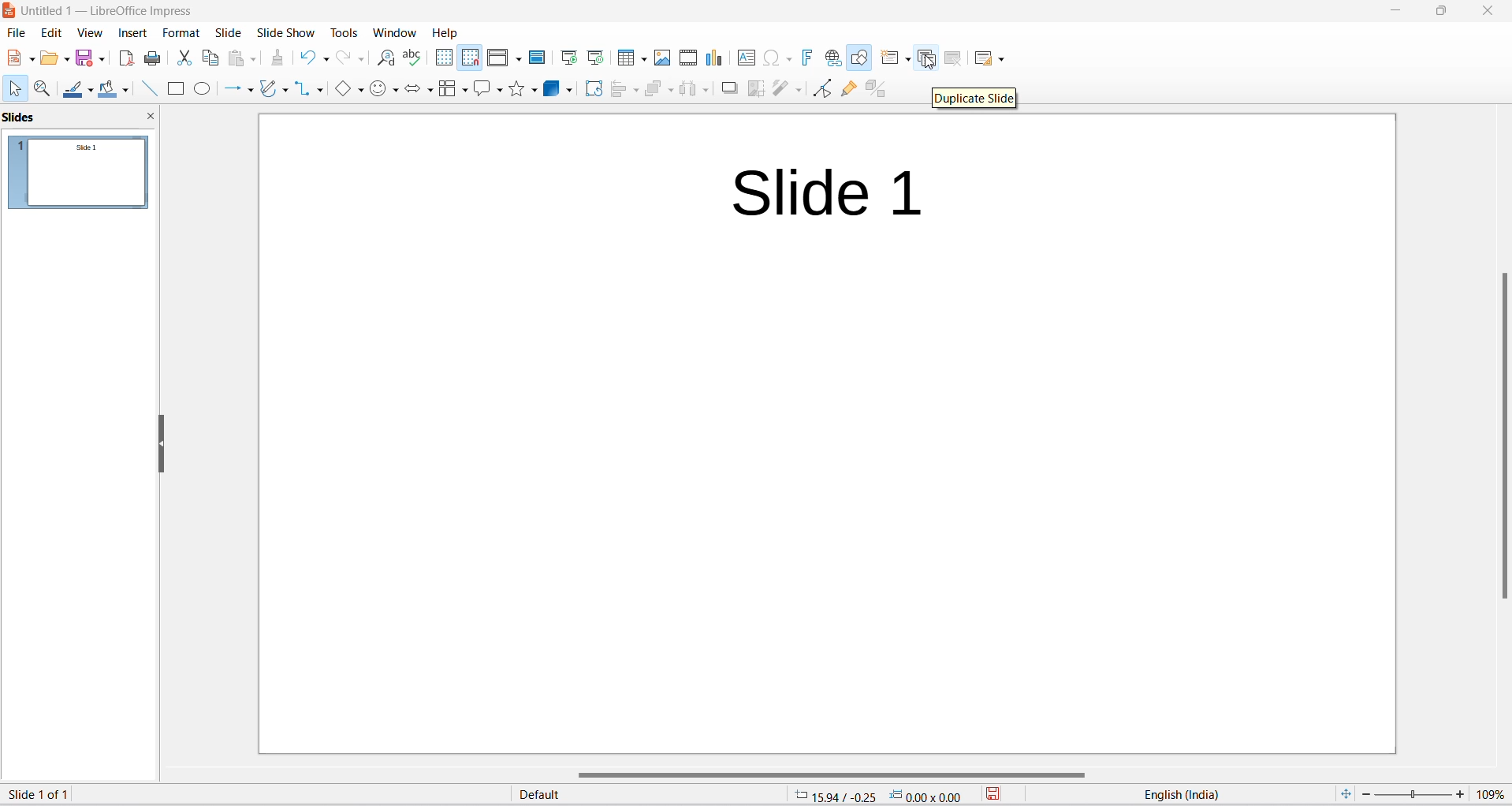 Image resolution: width=1512 pixels, height=806 pixels. I want to click on untitled1-libreoffice impress, so click(111, 9).